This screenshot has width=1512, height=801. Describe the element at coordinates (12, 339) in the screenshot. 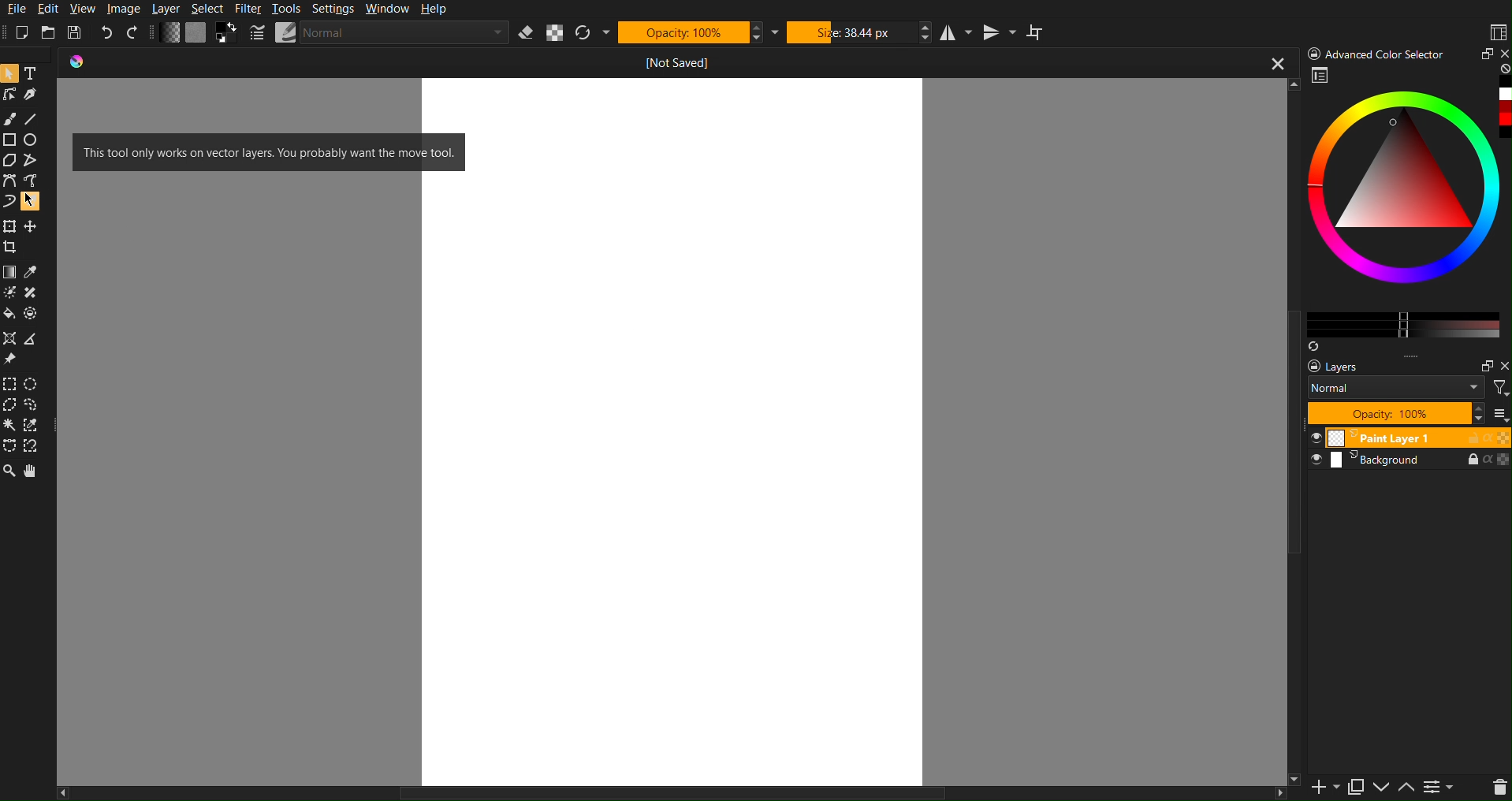

I see `Assisstant Tool` at that location.